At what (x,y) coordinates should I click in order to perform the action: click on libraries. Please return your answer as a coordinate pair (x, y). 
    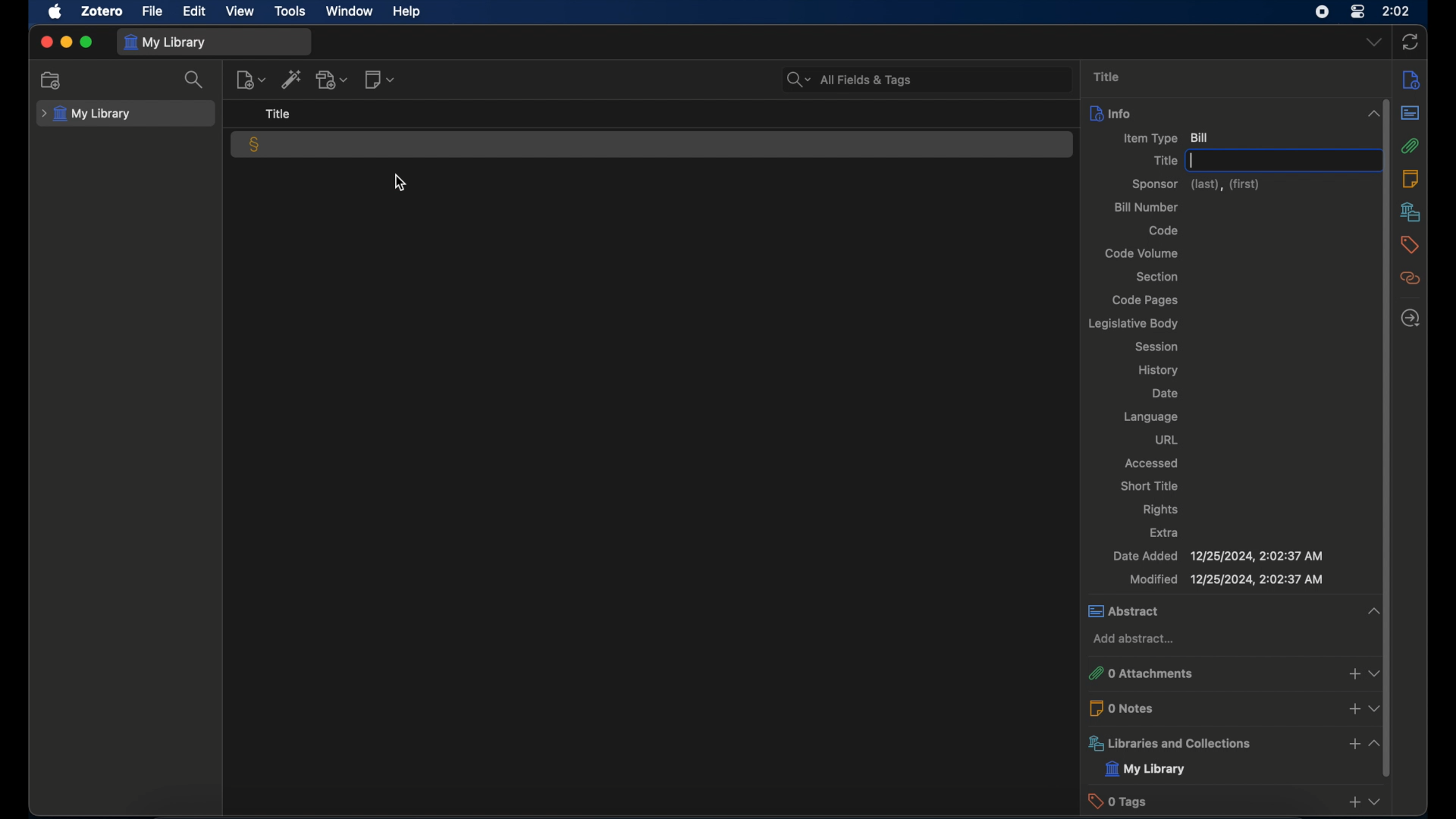
    Looking at the image, I should click on (1410, 212).